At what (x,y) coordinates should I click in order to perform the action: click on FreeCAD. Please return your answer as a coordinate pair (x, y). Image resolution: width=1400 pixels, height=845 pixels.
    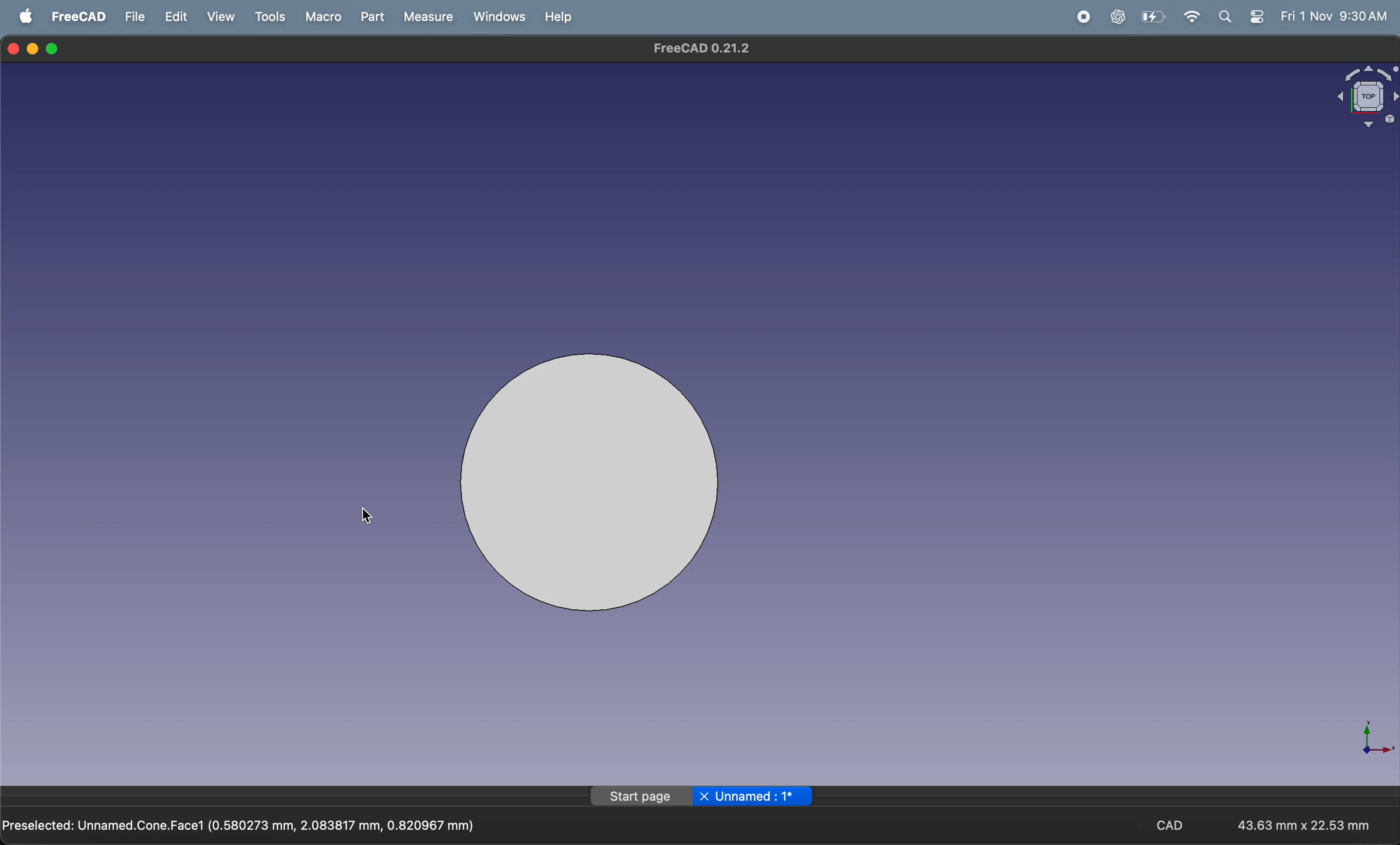
    Looking at the image, I should click on (79, 16).